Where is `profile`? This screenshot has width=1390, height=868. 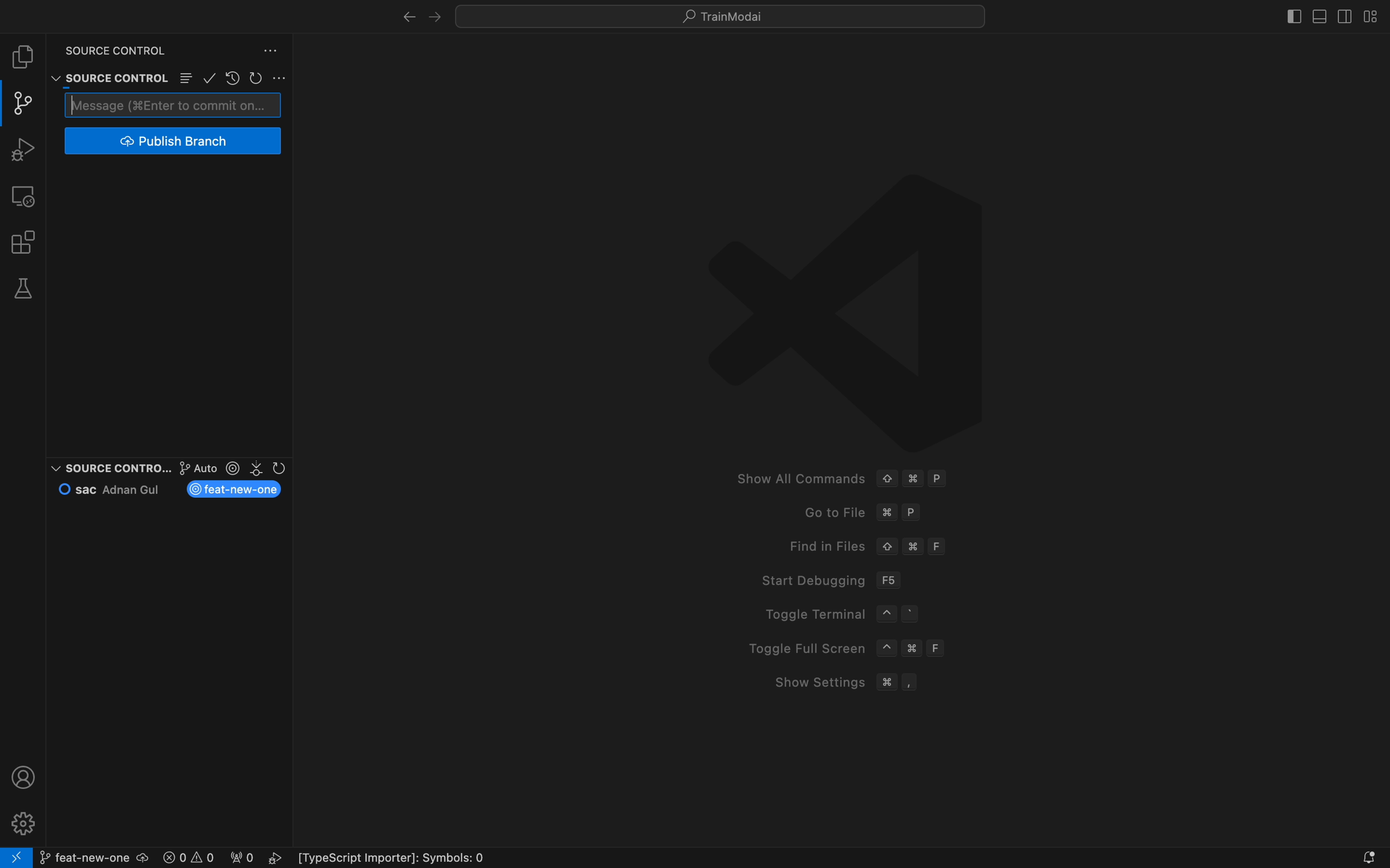 profile is located at coordinates (25, 777).